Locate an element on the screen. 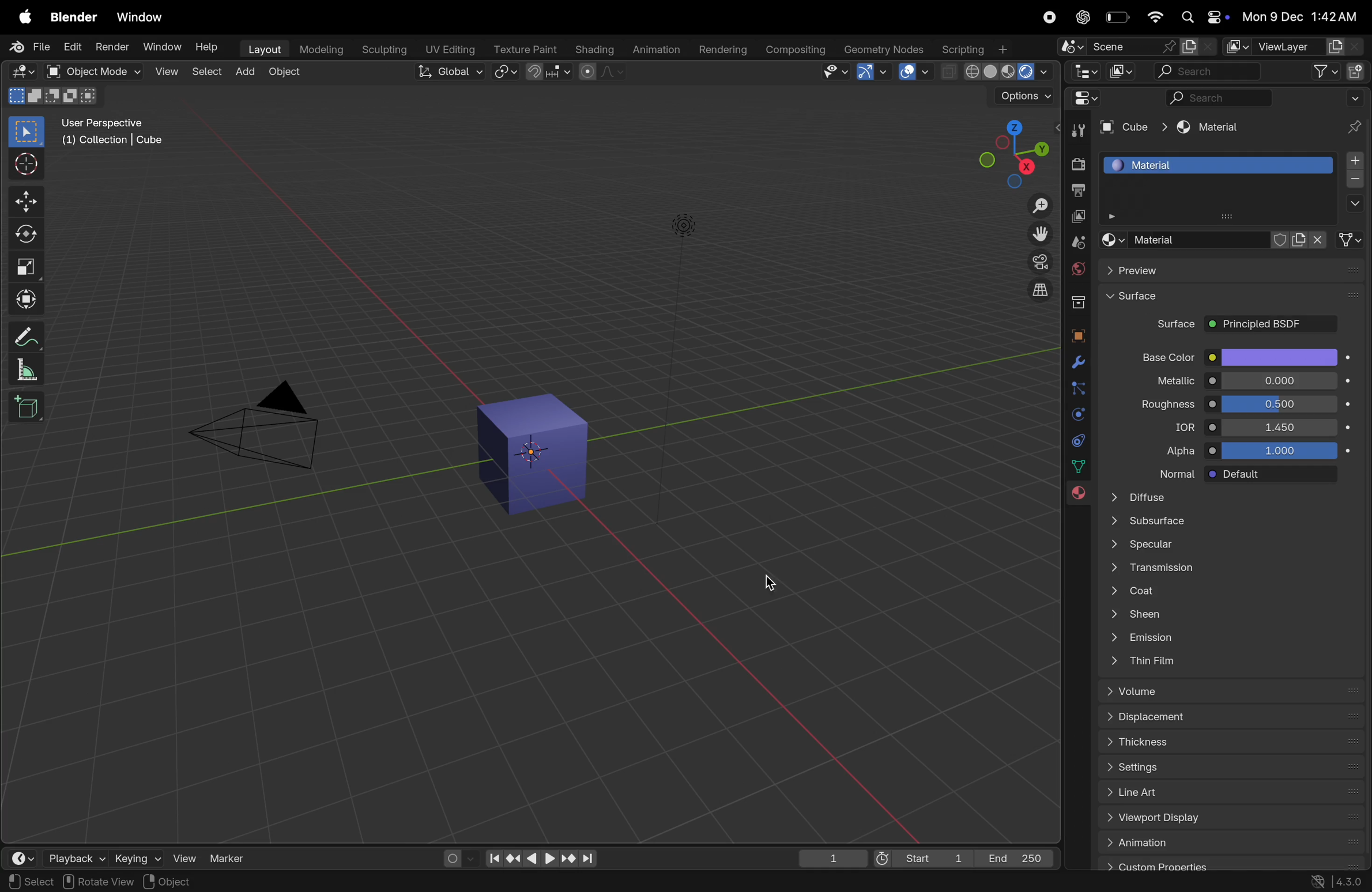 The width and height of the screenshot is (1372, 892). 1.000 is located at coordinates (1284, 451).